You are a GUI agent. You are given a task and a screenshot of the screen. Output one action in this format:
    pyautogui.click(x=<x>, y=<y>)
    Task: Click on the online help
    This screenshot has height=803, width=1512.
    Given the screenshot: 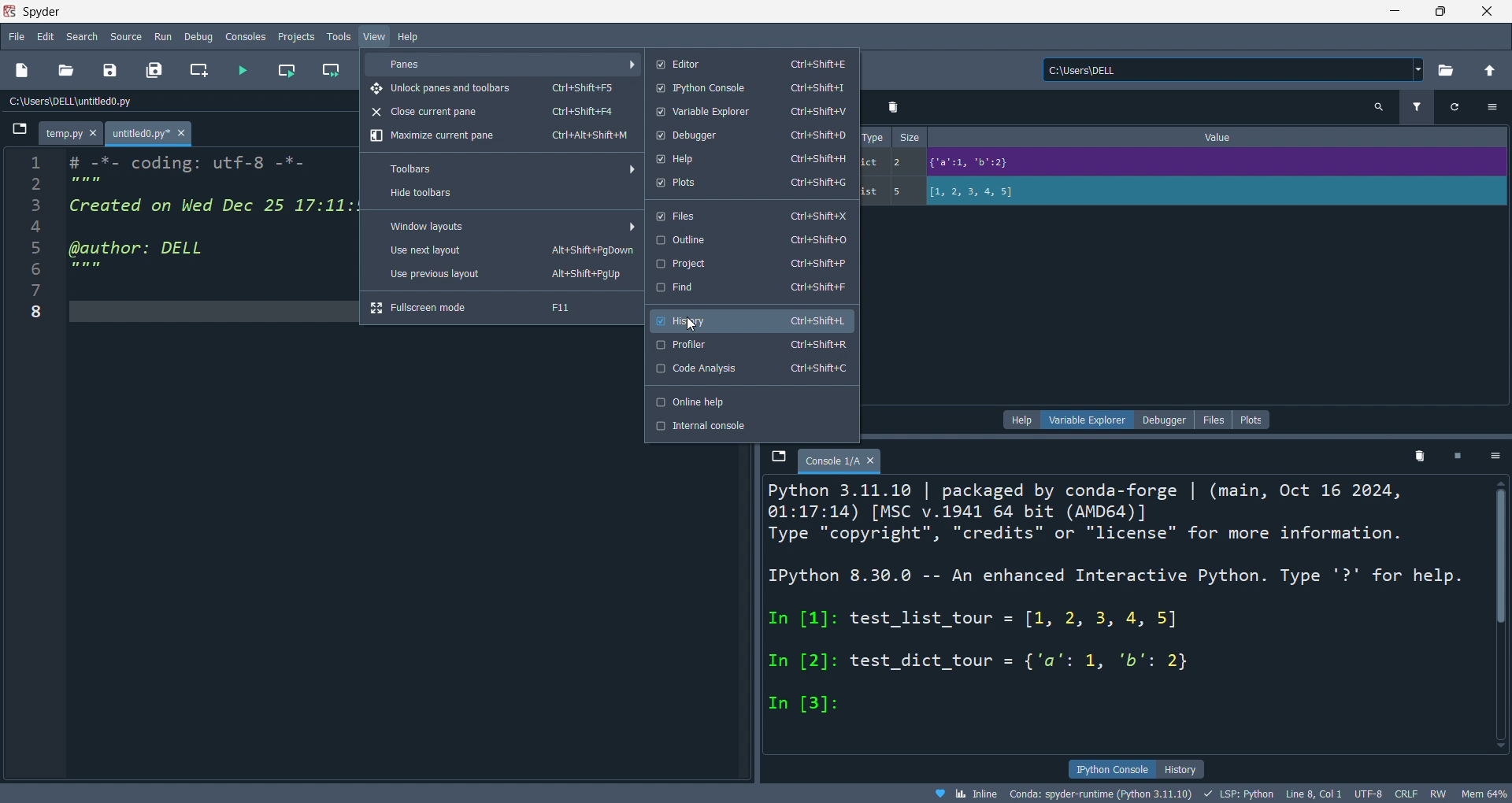 What is the action you would take?
    pyautogui.click(x=750, y=401)
    